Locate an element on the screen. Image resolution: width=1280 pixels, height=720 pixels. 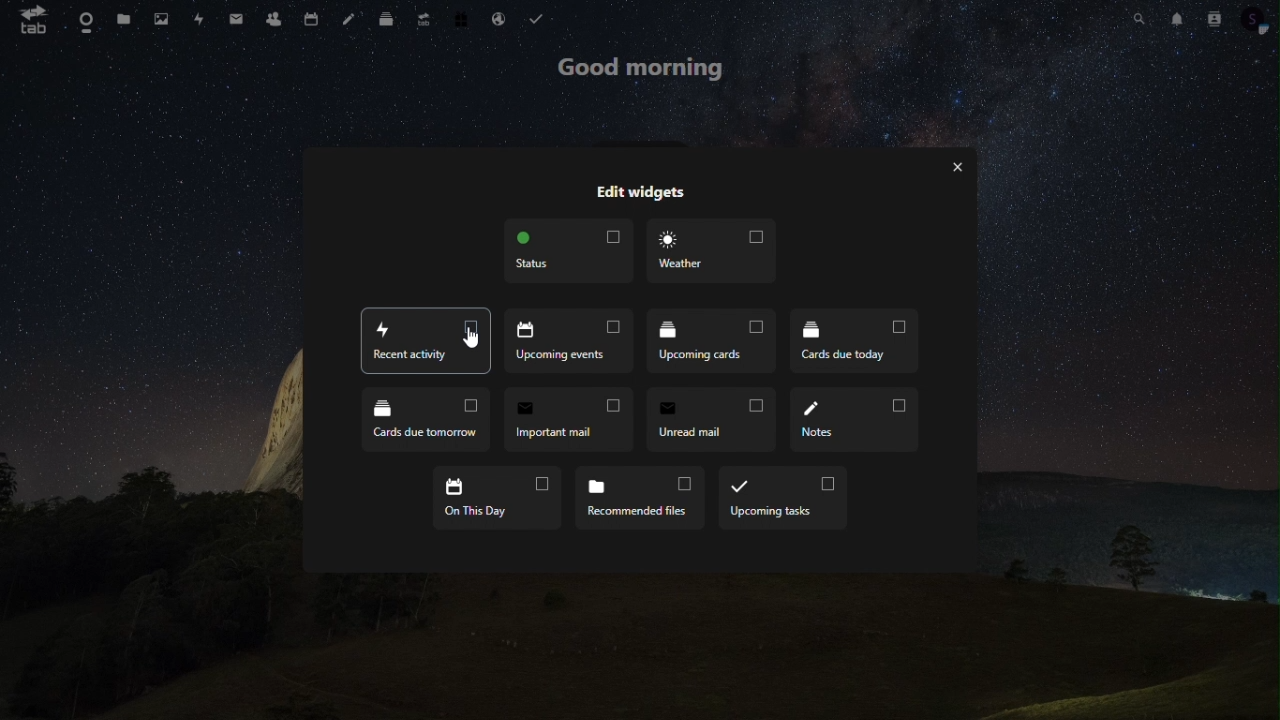
deck is located at coordinates (386, 22).